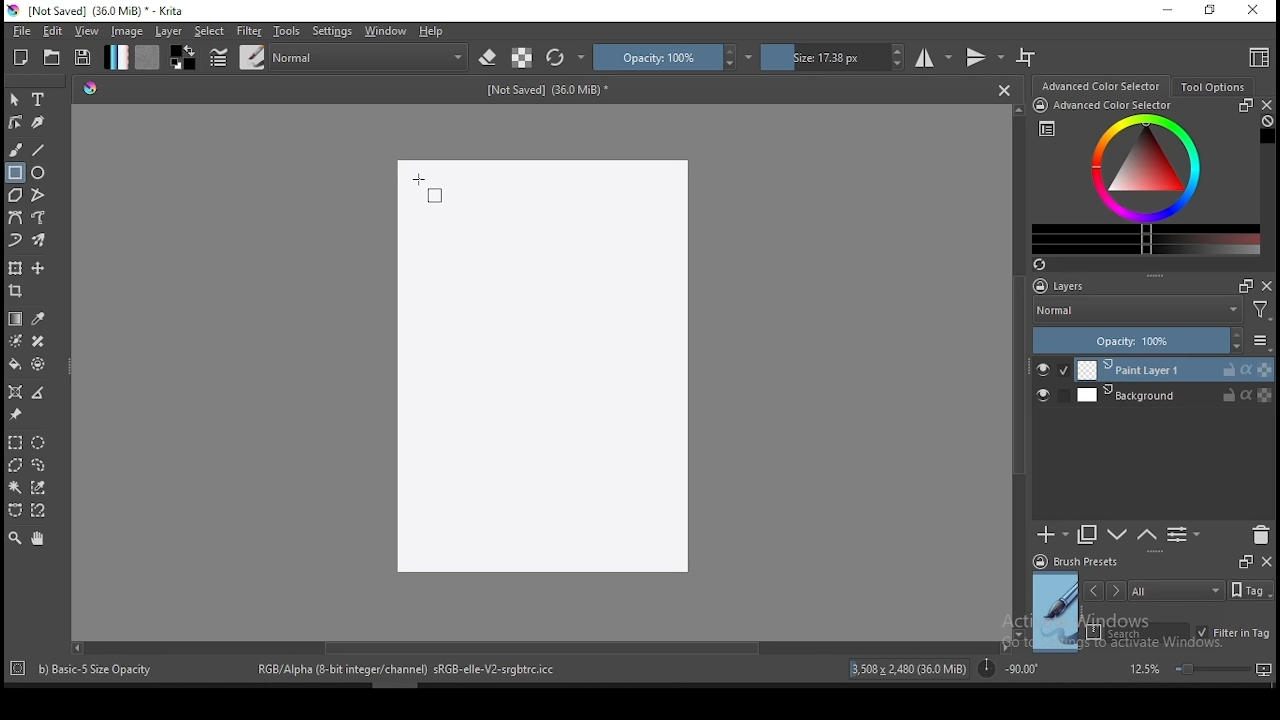  Describe the element at coordinates (39, 100) in the screenshot. I see `text tool` at that location.